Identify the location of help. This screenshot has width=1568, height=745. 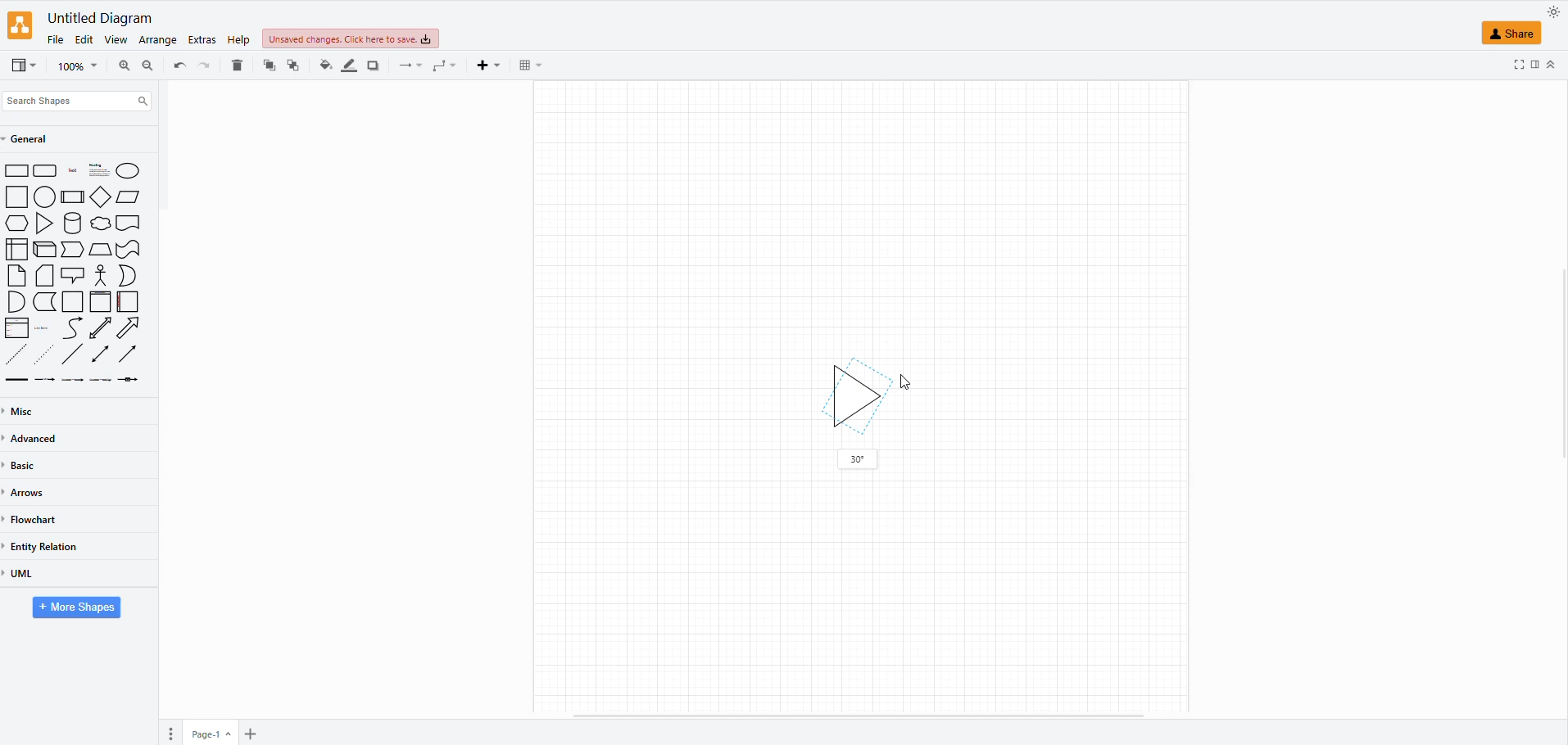
(238, 41).